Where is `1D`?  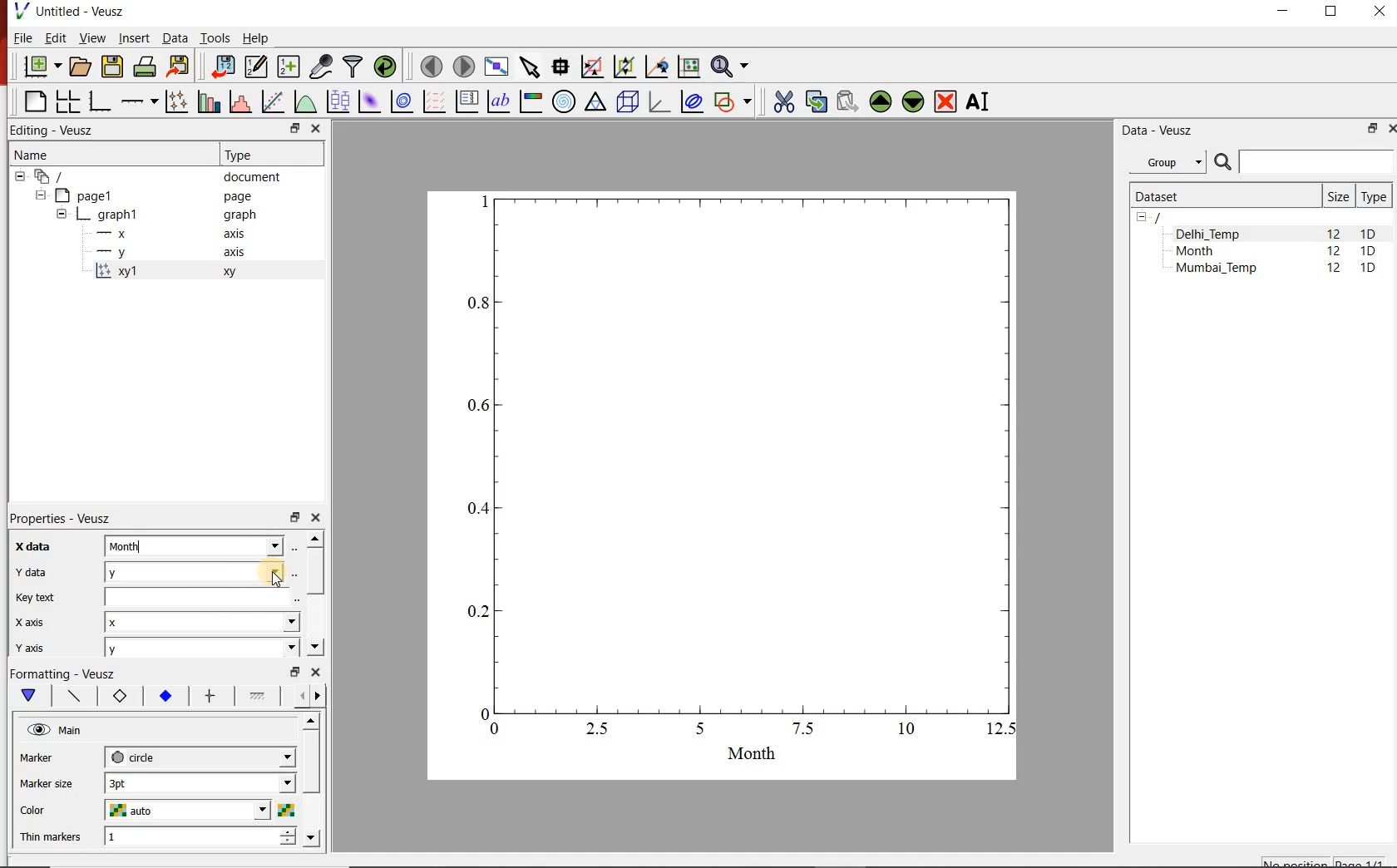
1D is located at coordinates (1369, 234).